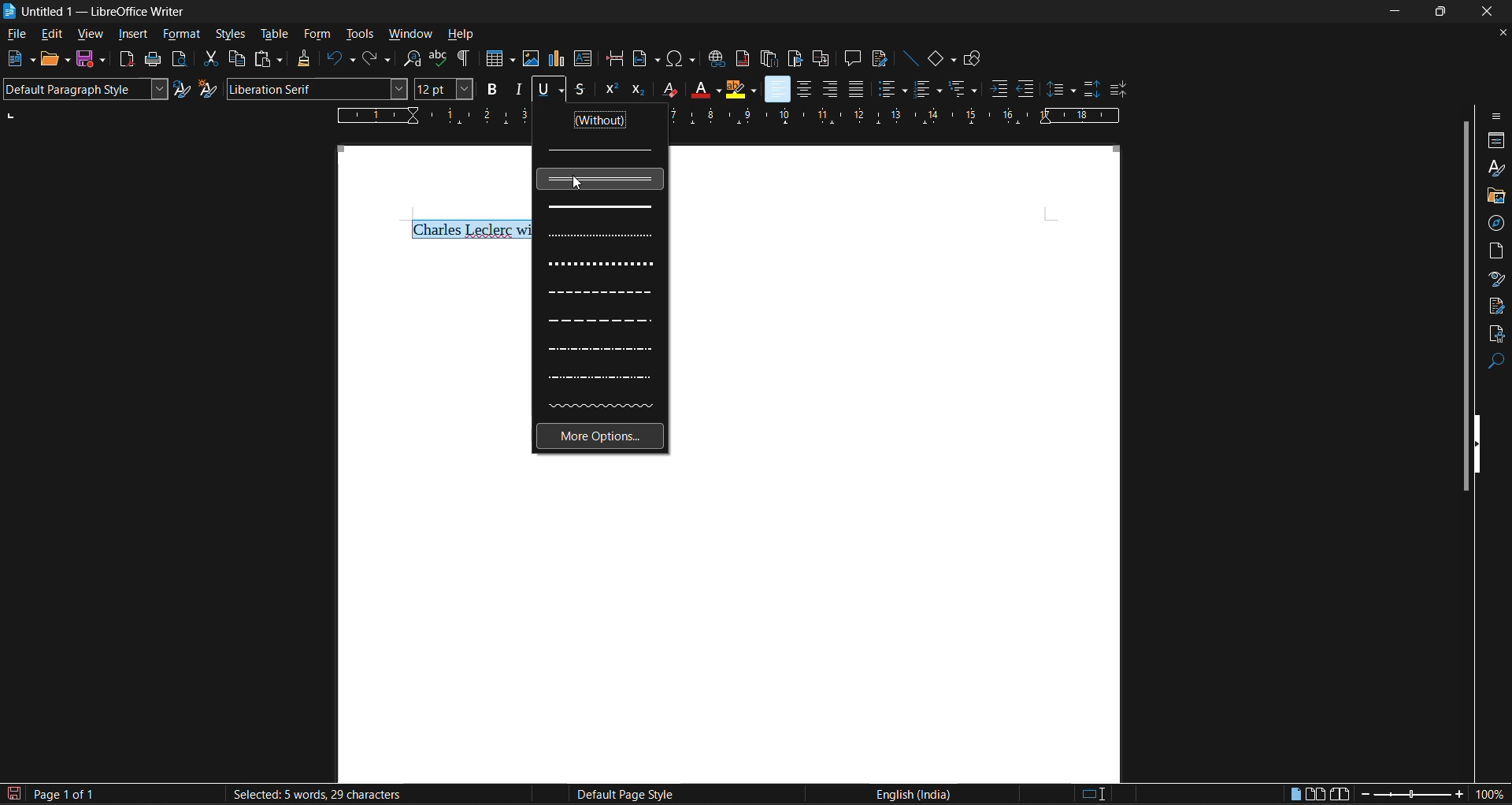 The image size is (1512, 805). What do you see at coordinates (305, 58) in the screenshot?
I see `clone formatting` at bounding box center [305, 58].